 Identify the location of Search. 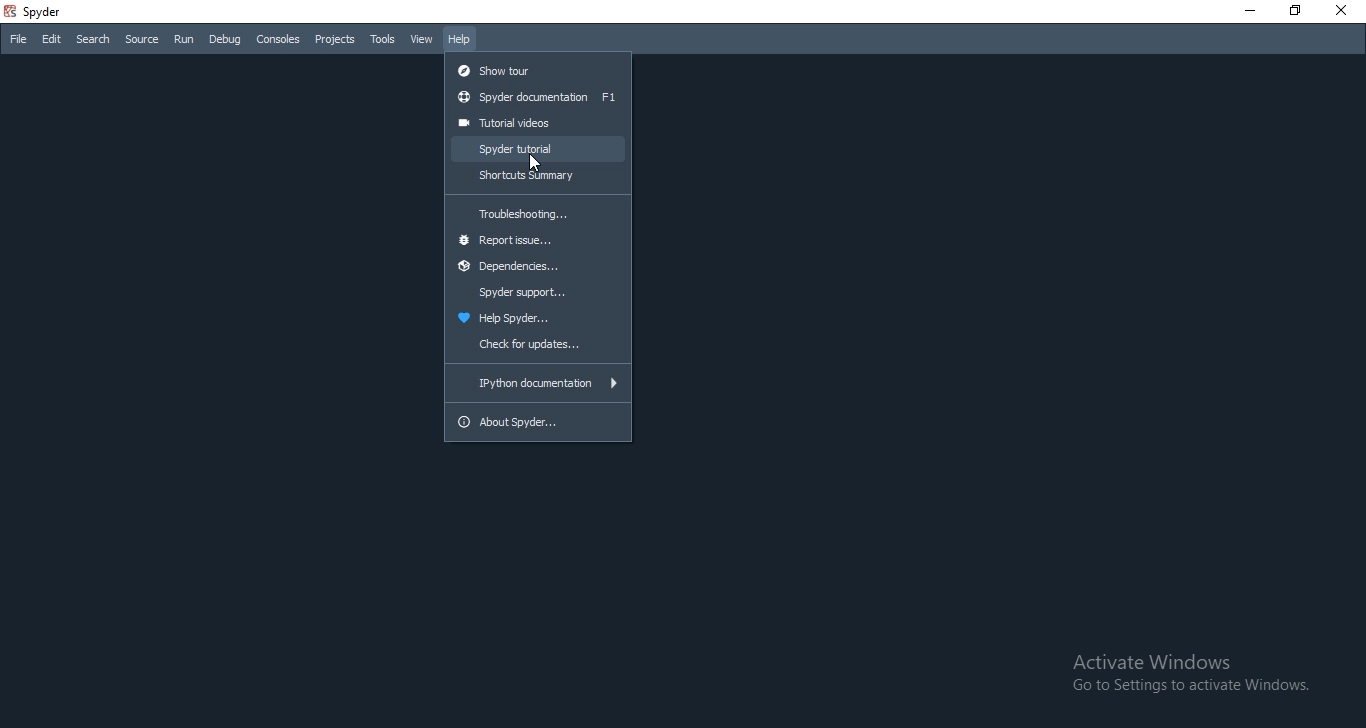
(93, 41).